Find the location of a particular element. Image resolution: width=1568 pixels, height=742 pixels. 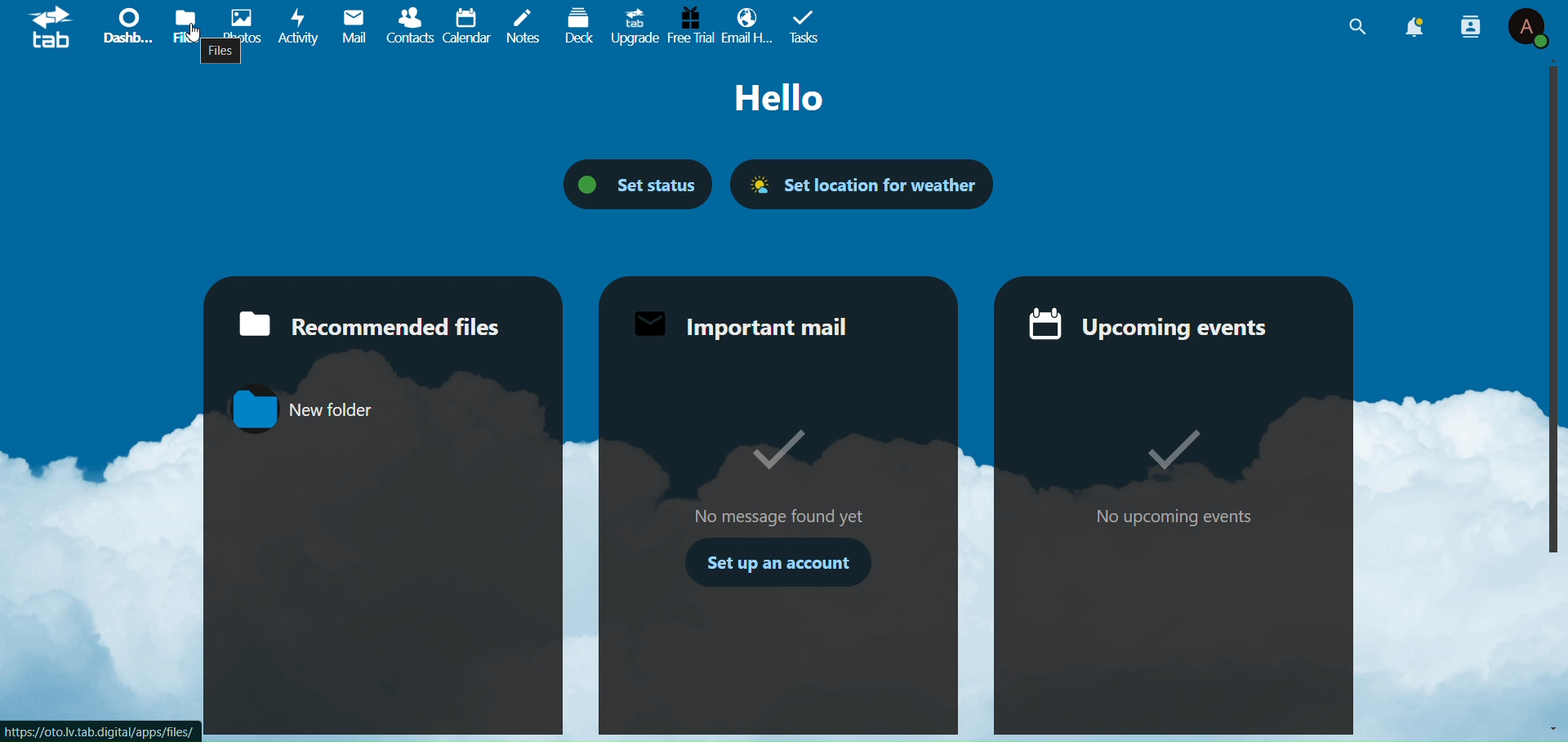

Text is located at coordinates (783, 474).